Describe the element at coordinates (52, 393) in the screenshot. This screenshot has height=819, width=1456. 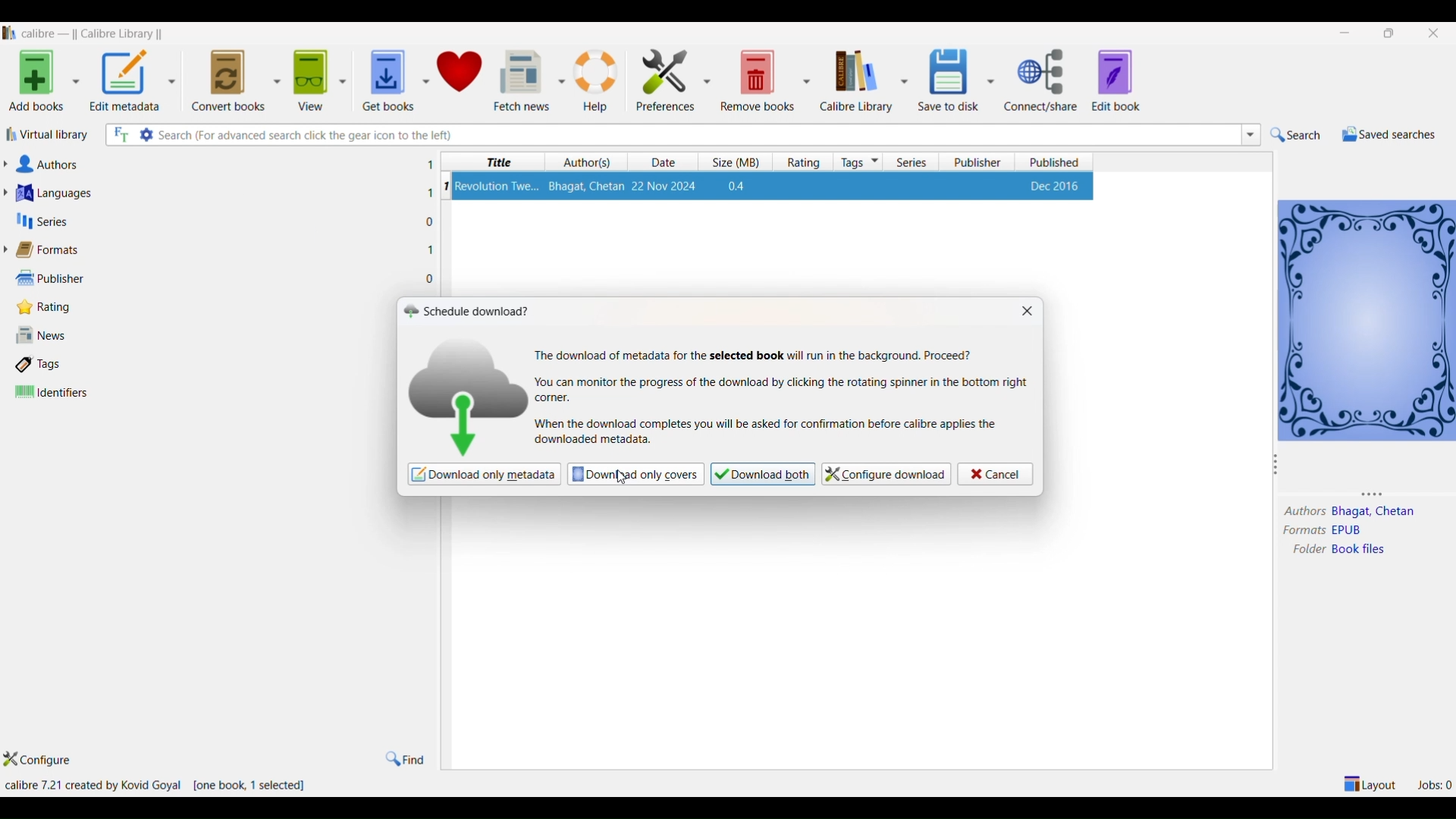
I see `identifiers and number of identifiers` at that location.